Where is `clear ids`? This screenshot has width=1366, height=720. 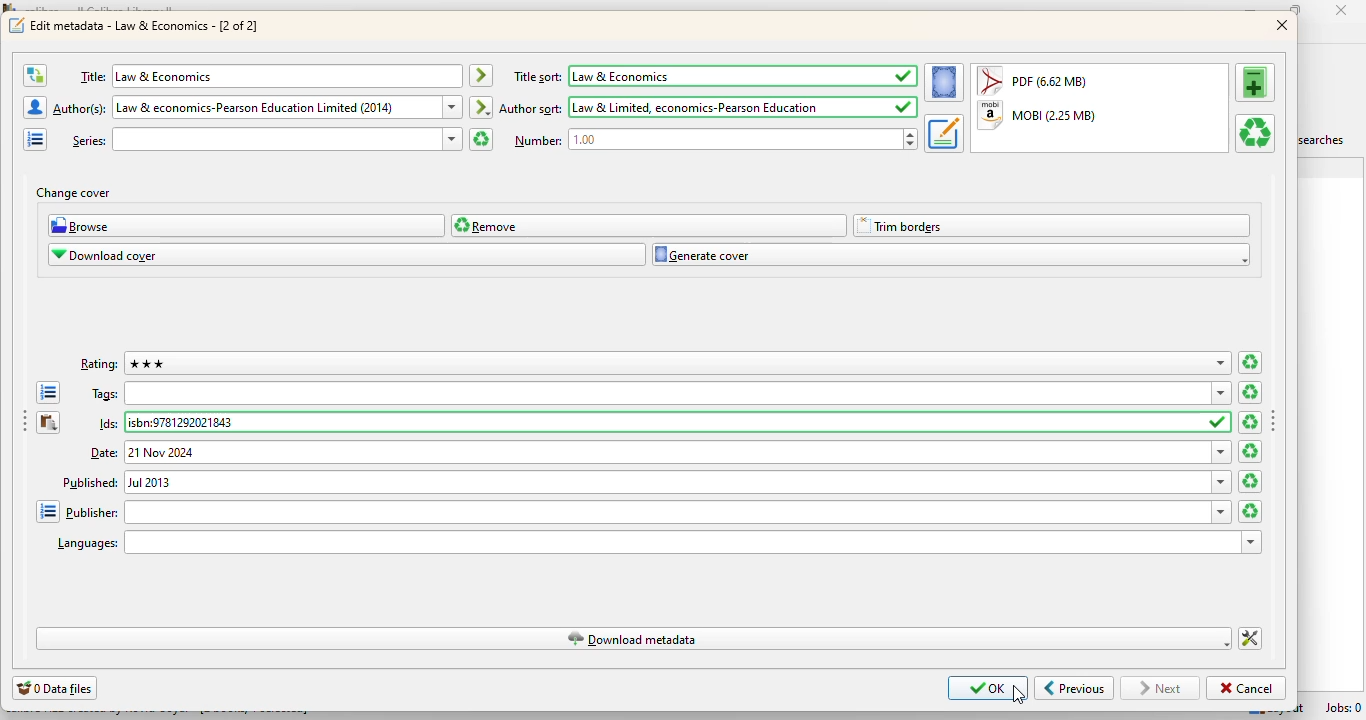
clear ids is located at coordinates (1249, 423).